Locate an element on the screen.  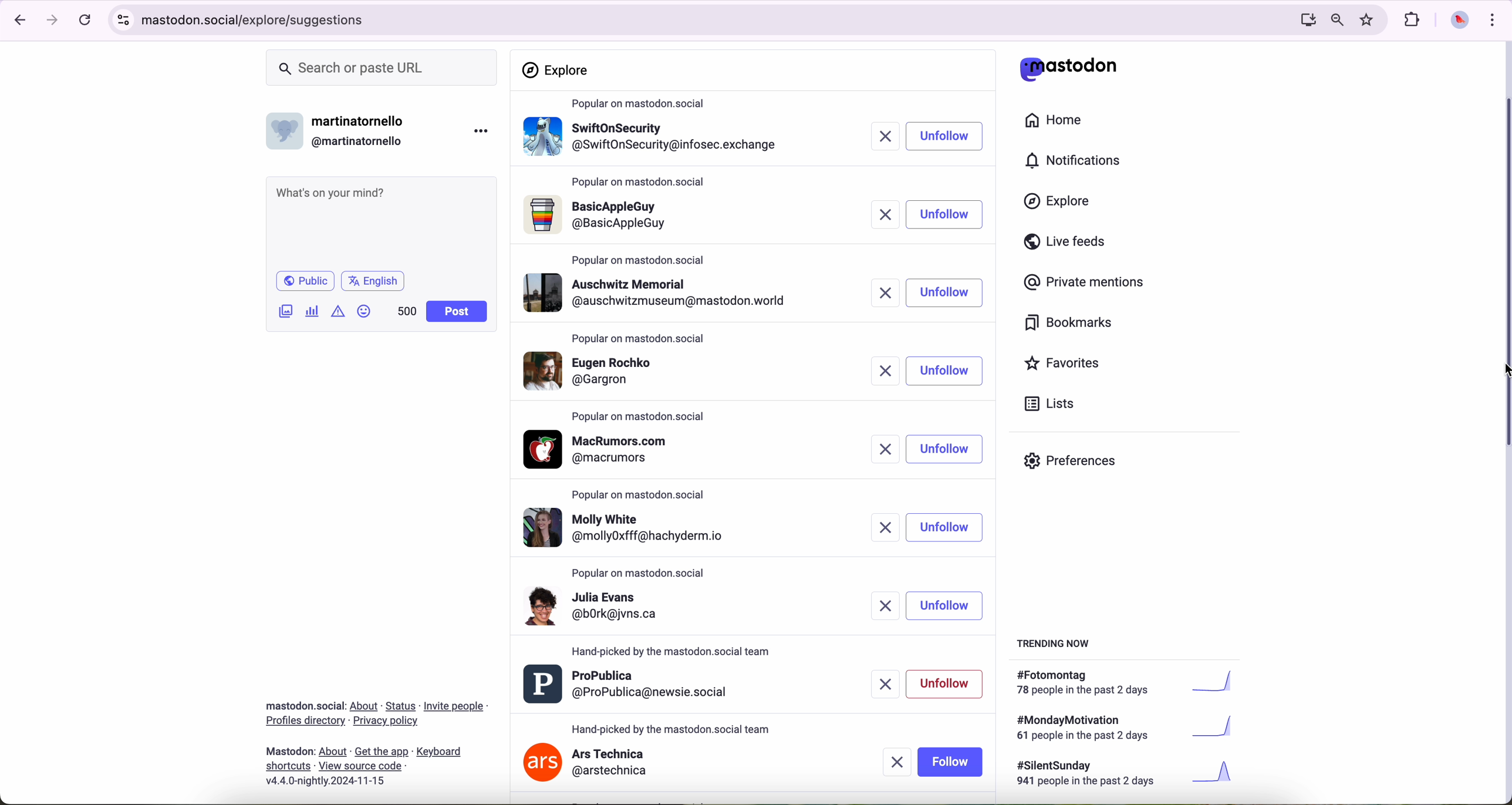
popular on mastodon.social is located at coordinates (643, 184).